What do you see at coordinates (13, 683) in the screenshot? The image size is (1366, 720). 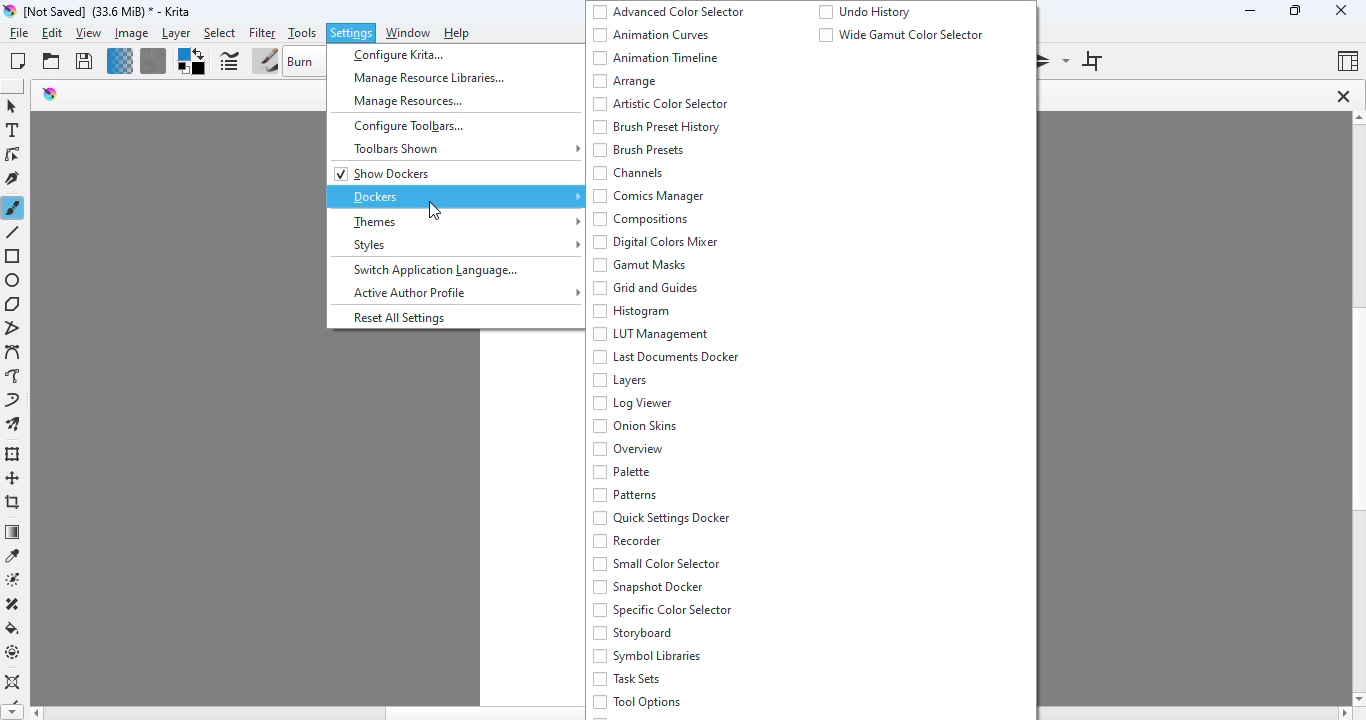 I see `assistant tool` at bounding box center [13, 683].